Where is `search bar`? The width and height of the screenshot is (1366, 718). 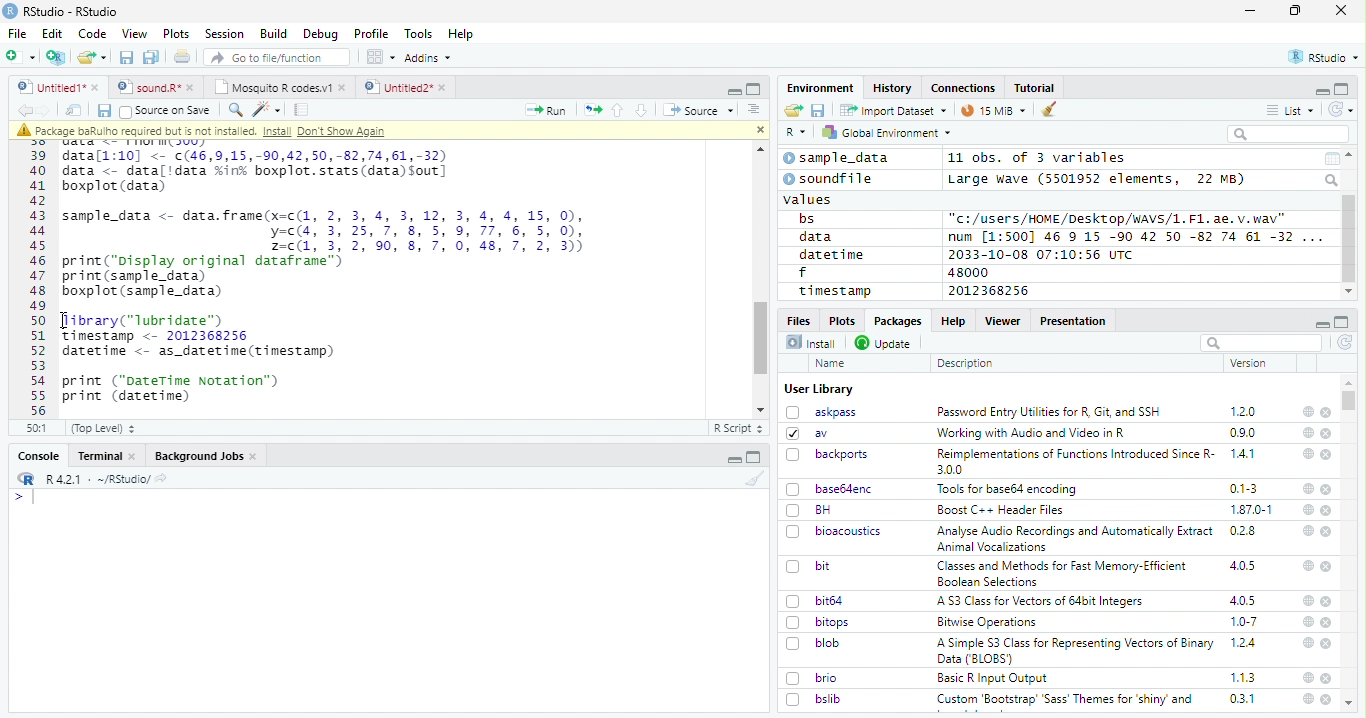 search bar is located at coordinates (1259, 342).